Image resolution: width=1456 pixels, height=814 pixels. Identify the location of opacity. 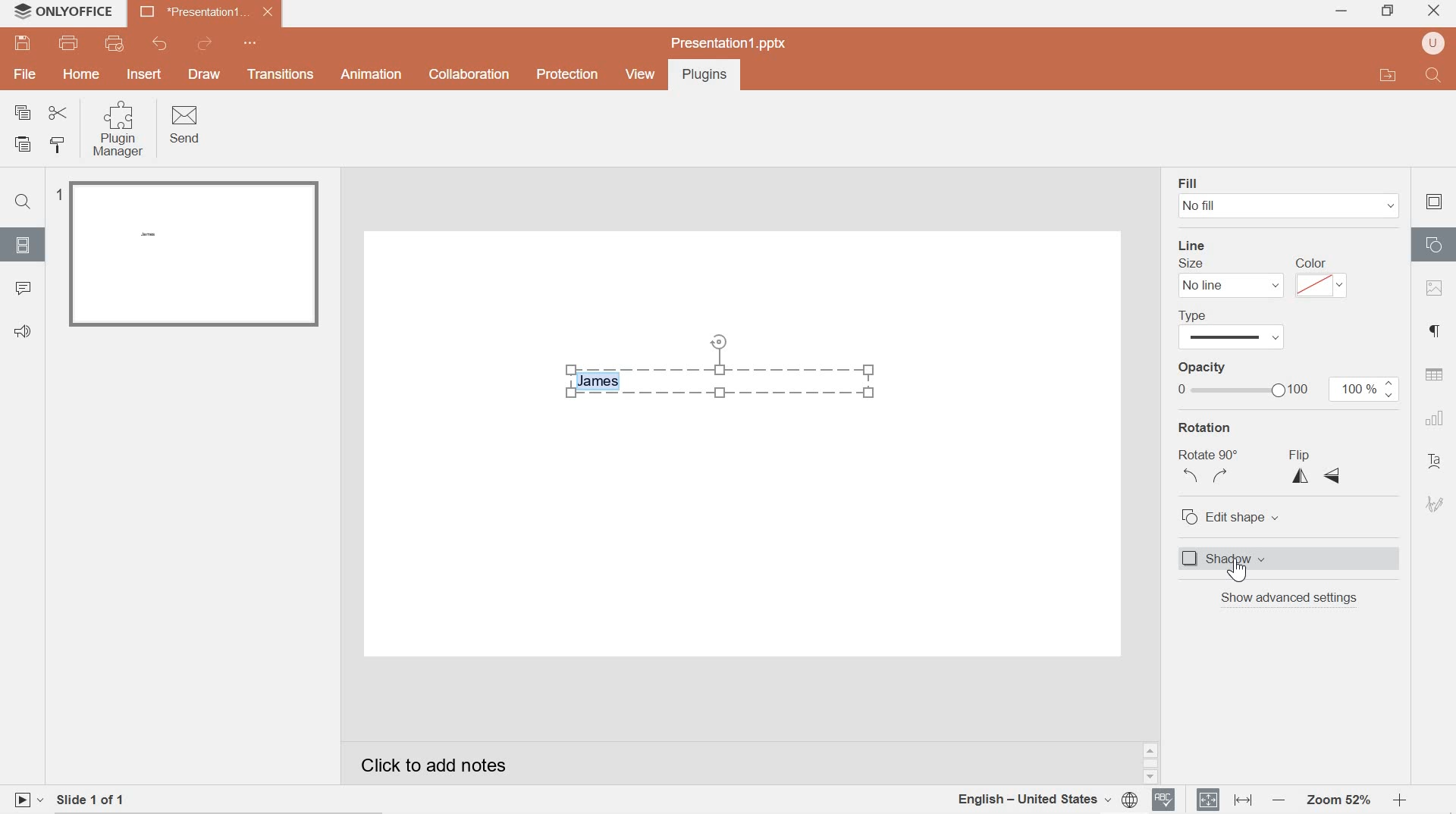
(1237, 366).